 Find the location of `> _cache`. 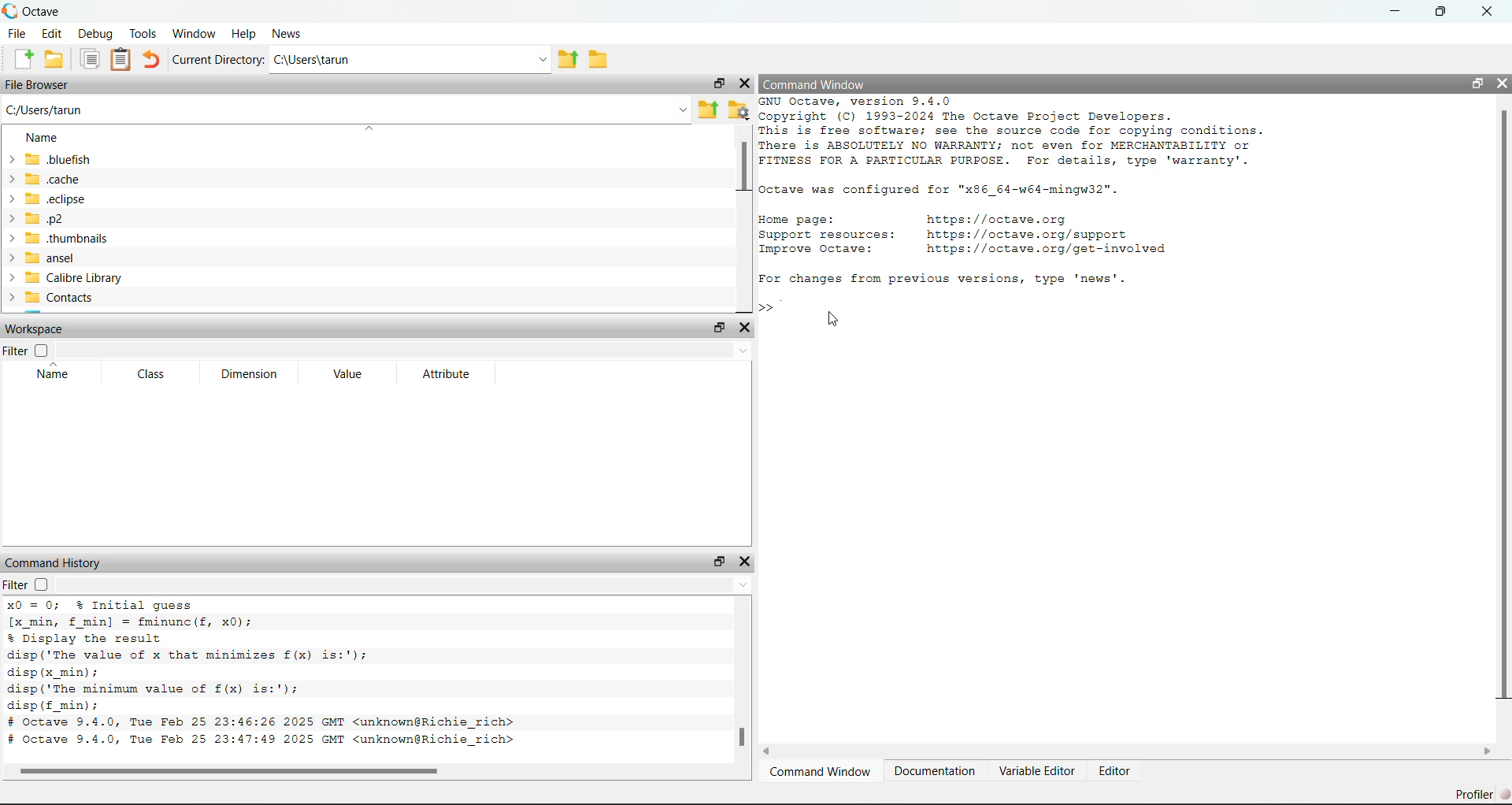

> _cache is located at coordinates (47, 180).